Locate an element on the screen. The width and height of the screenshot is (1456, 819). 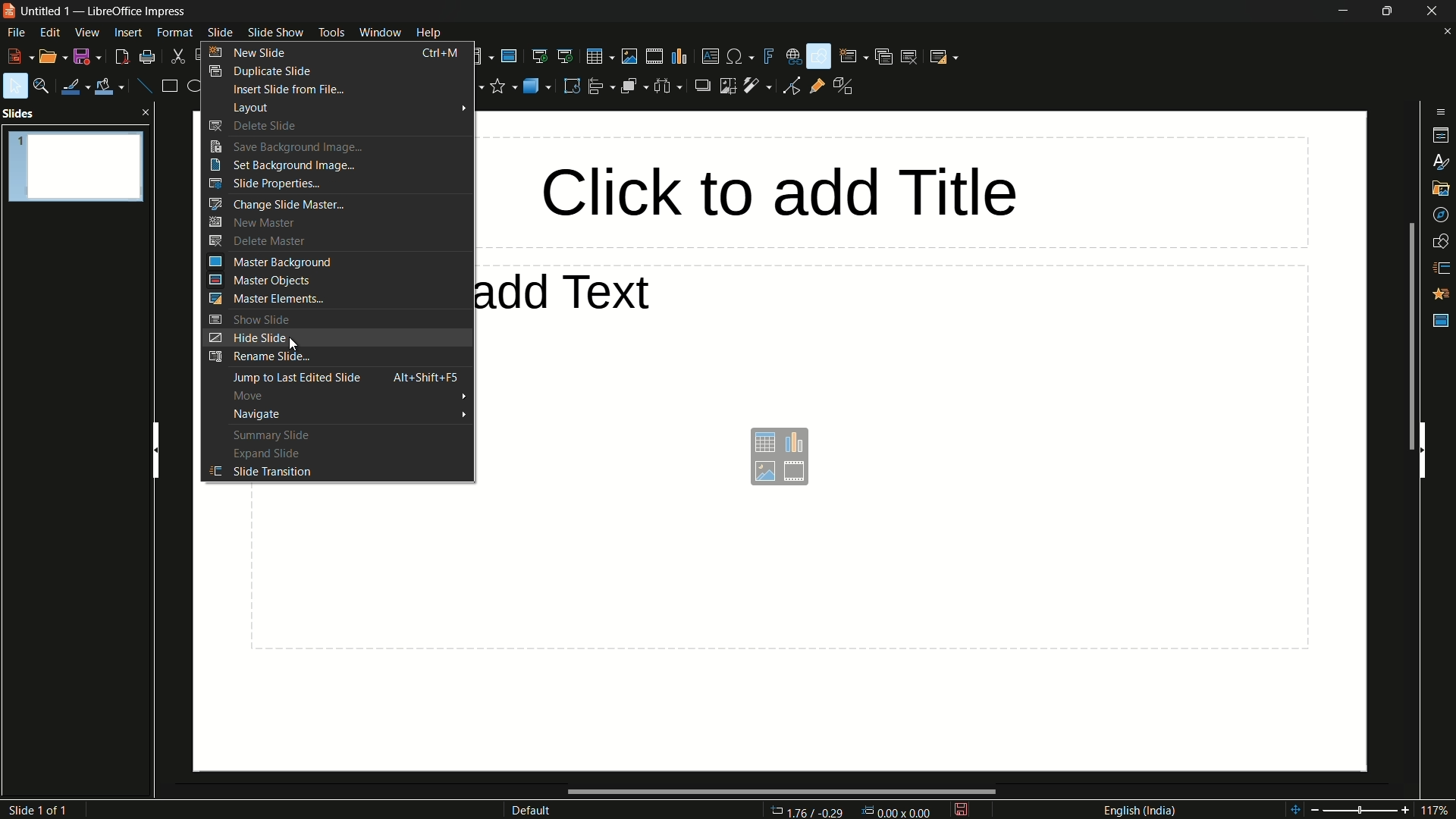
scroll bar is located at coordinates (780, 790).